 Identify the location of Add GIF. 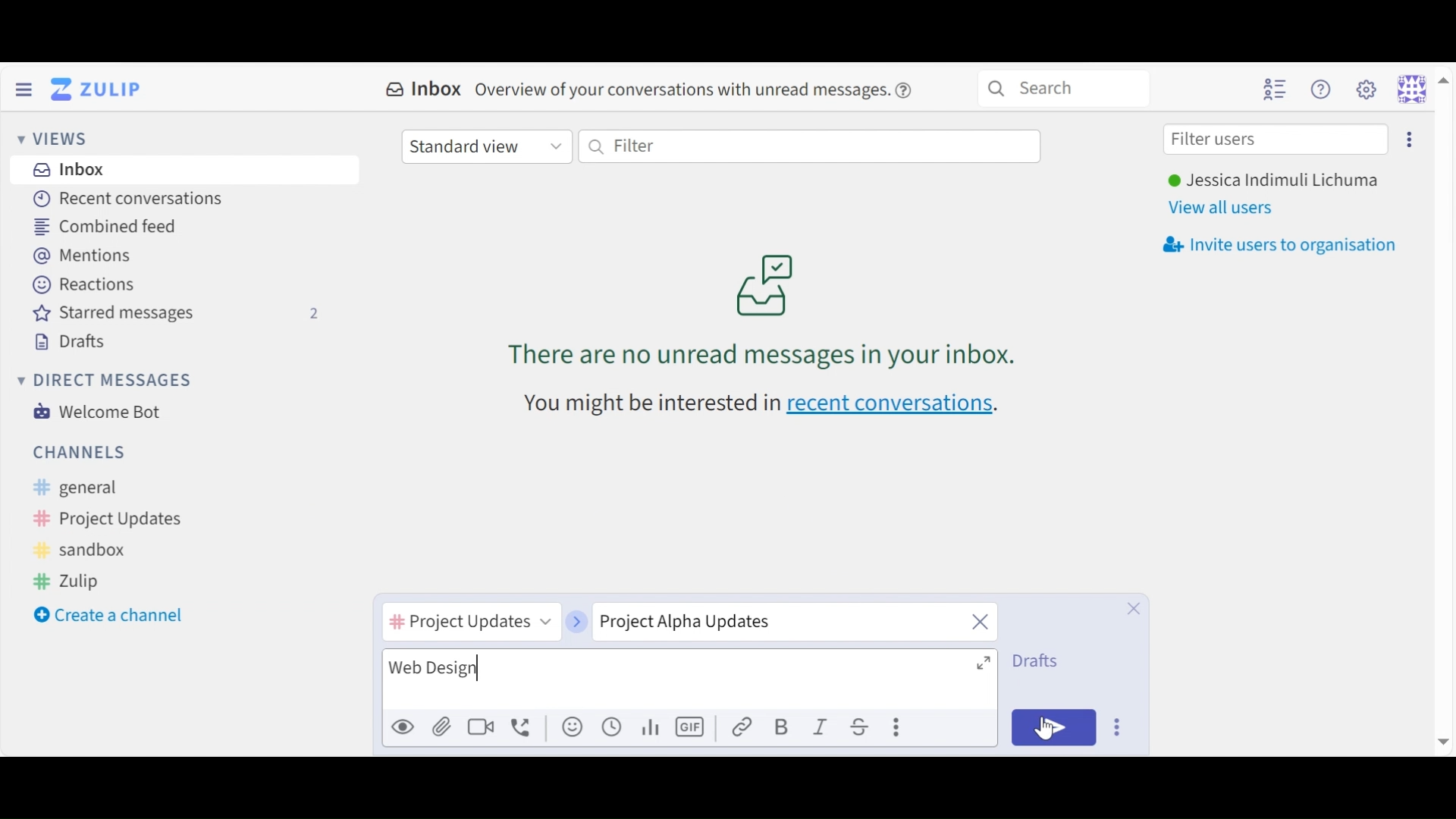
(690, 727).